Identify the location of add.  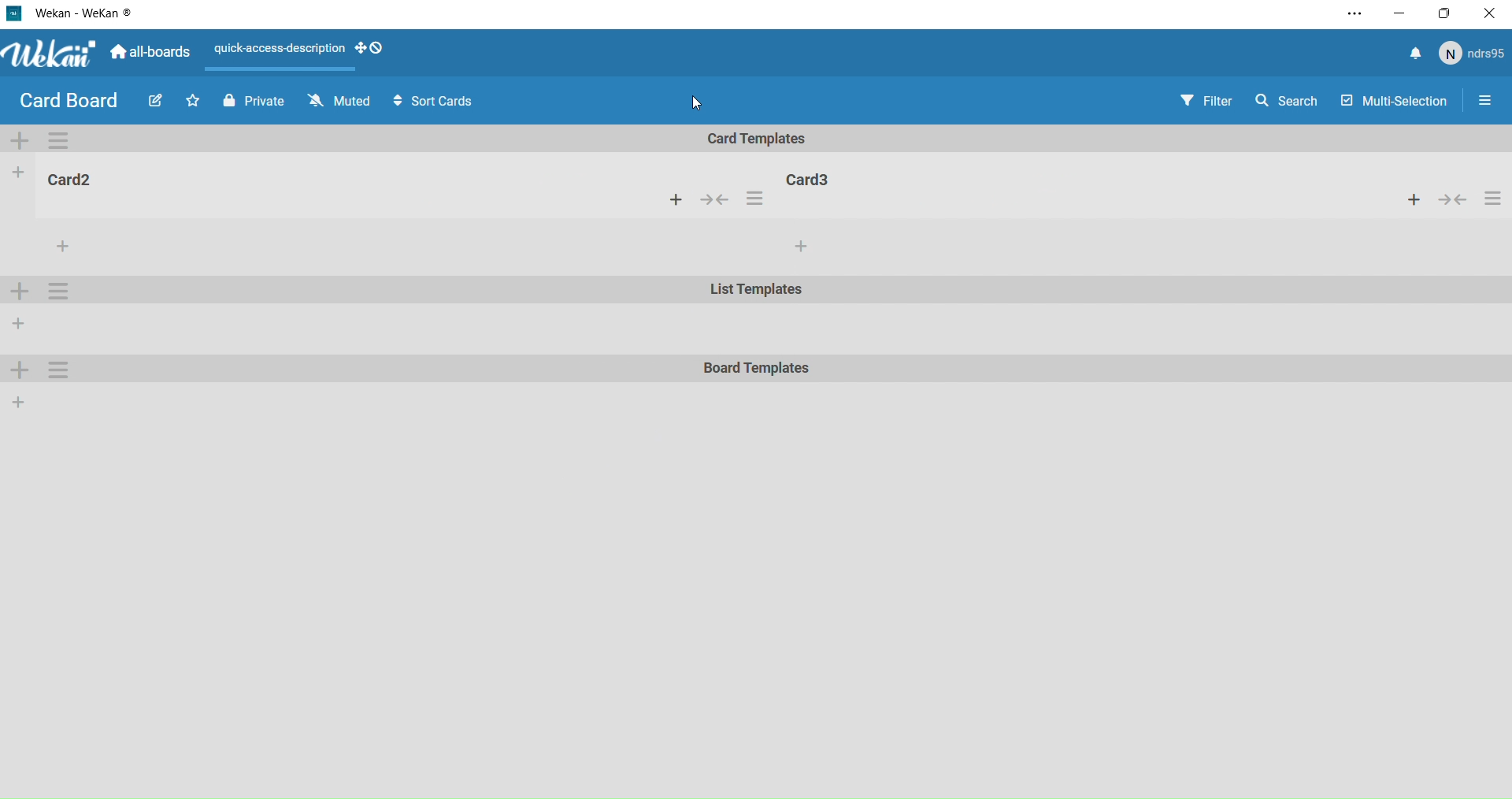
(803, 247).